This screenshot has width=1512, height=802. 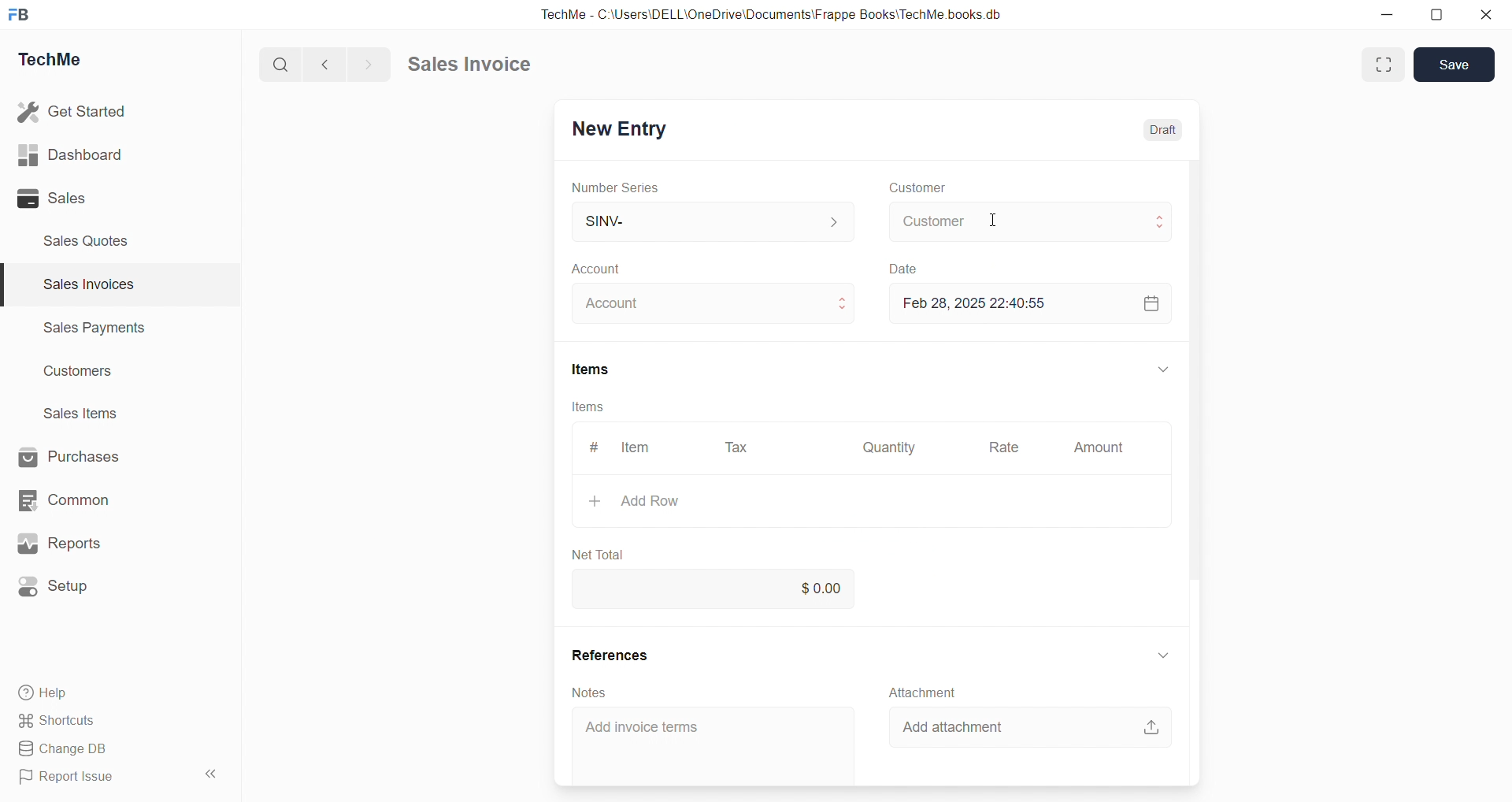 I want to click on search, so click(x=278, y=65).